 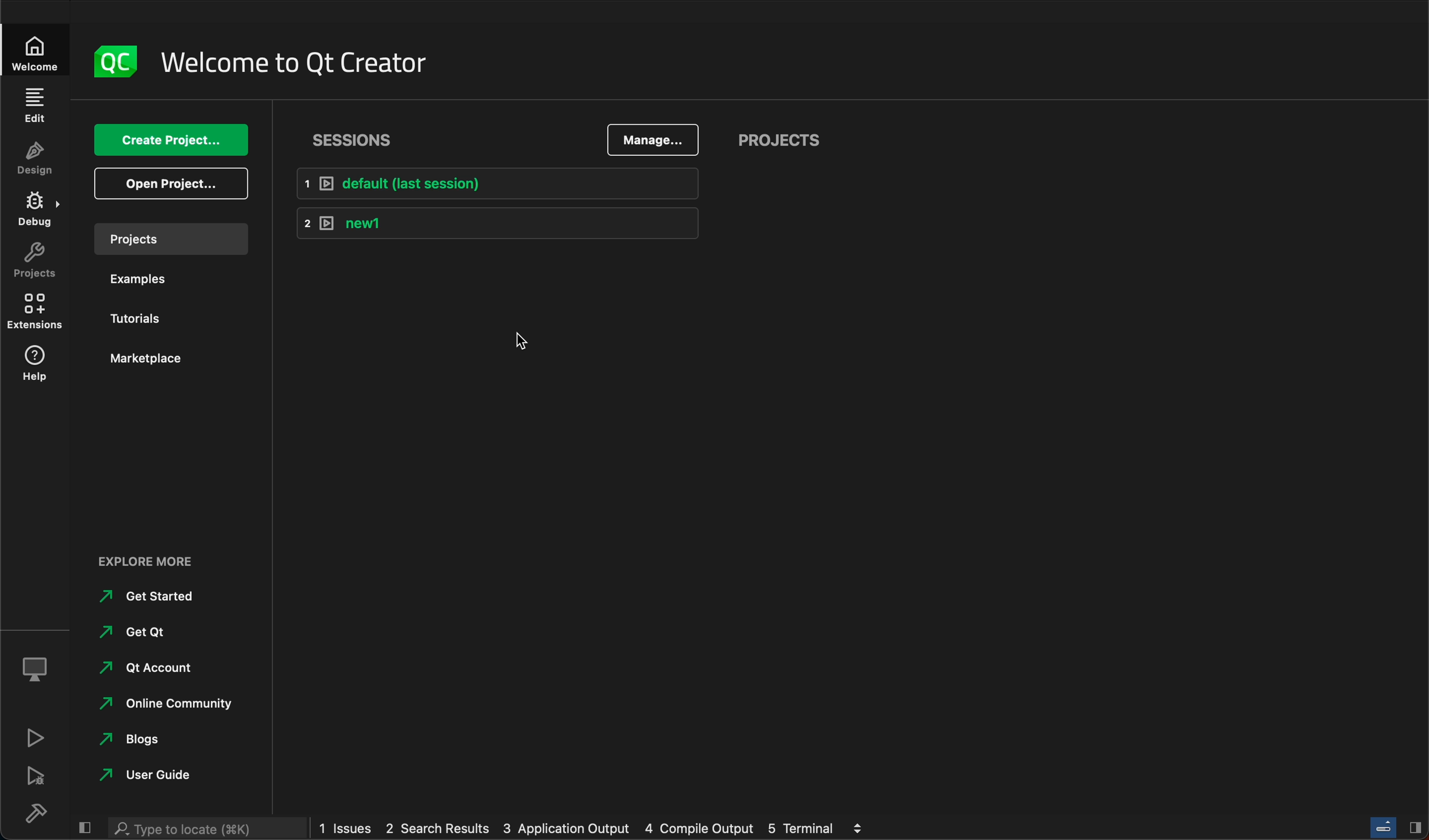 What do you see at coordinates (34, 160) in the screenshot?
I see `Design` at bounding box center [34, 160].